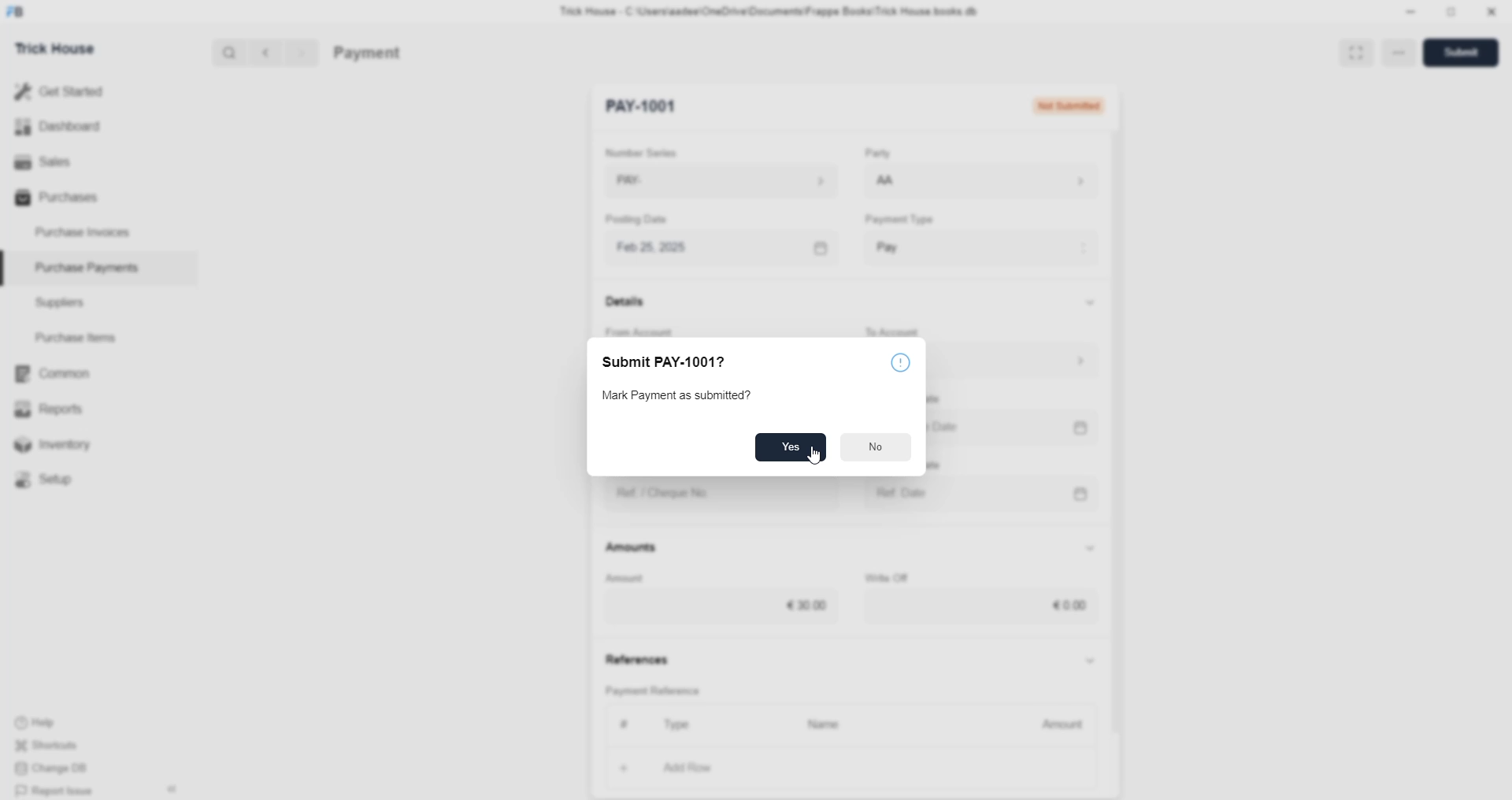  What do you see at coordinates (1492, 12) in the screenshot?
I see `close` at bounding box center [1492, 12].